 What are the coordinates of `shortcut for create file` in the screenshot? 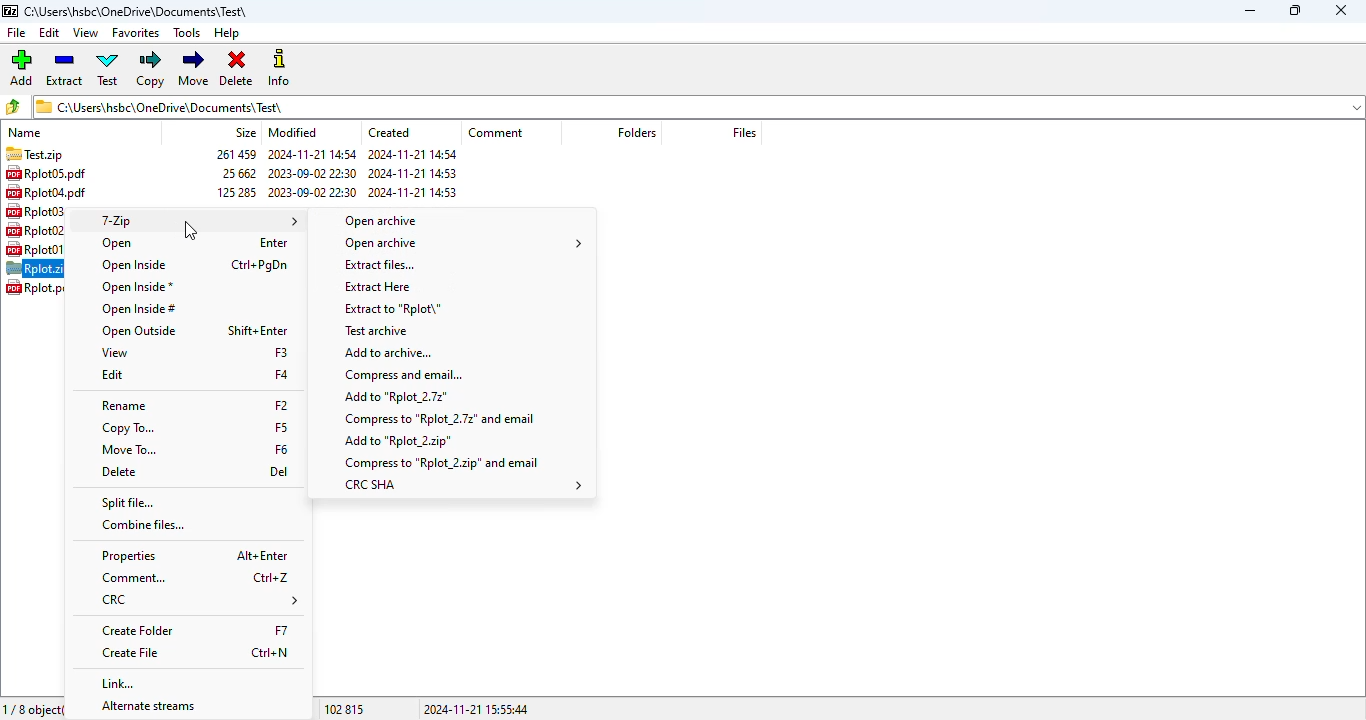 It's located at (272, 652).